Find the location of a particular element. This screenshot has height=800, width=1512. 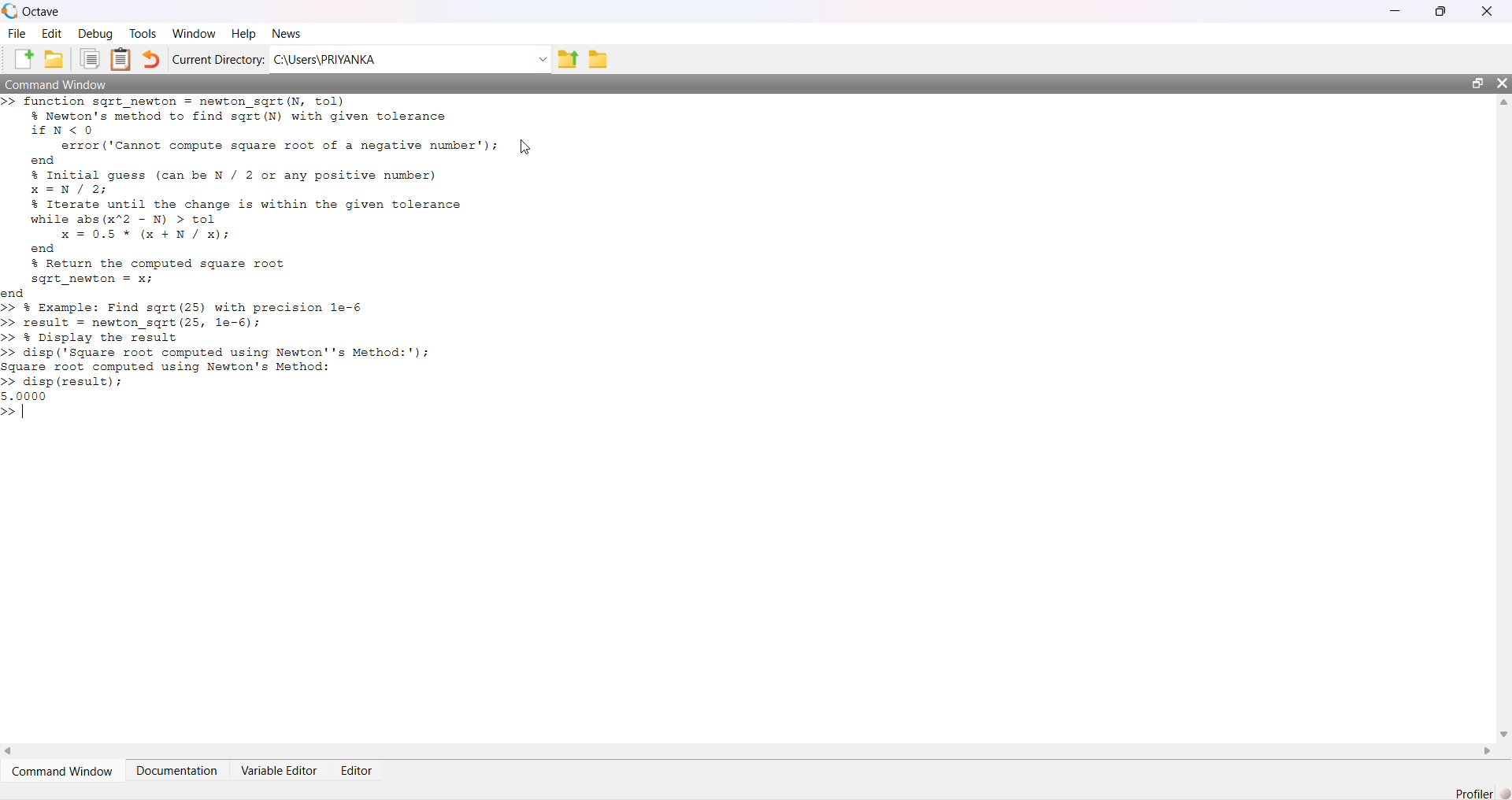

Open an existing file in editor is located at coordinates (57, 59).